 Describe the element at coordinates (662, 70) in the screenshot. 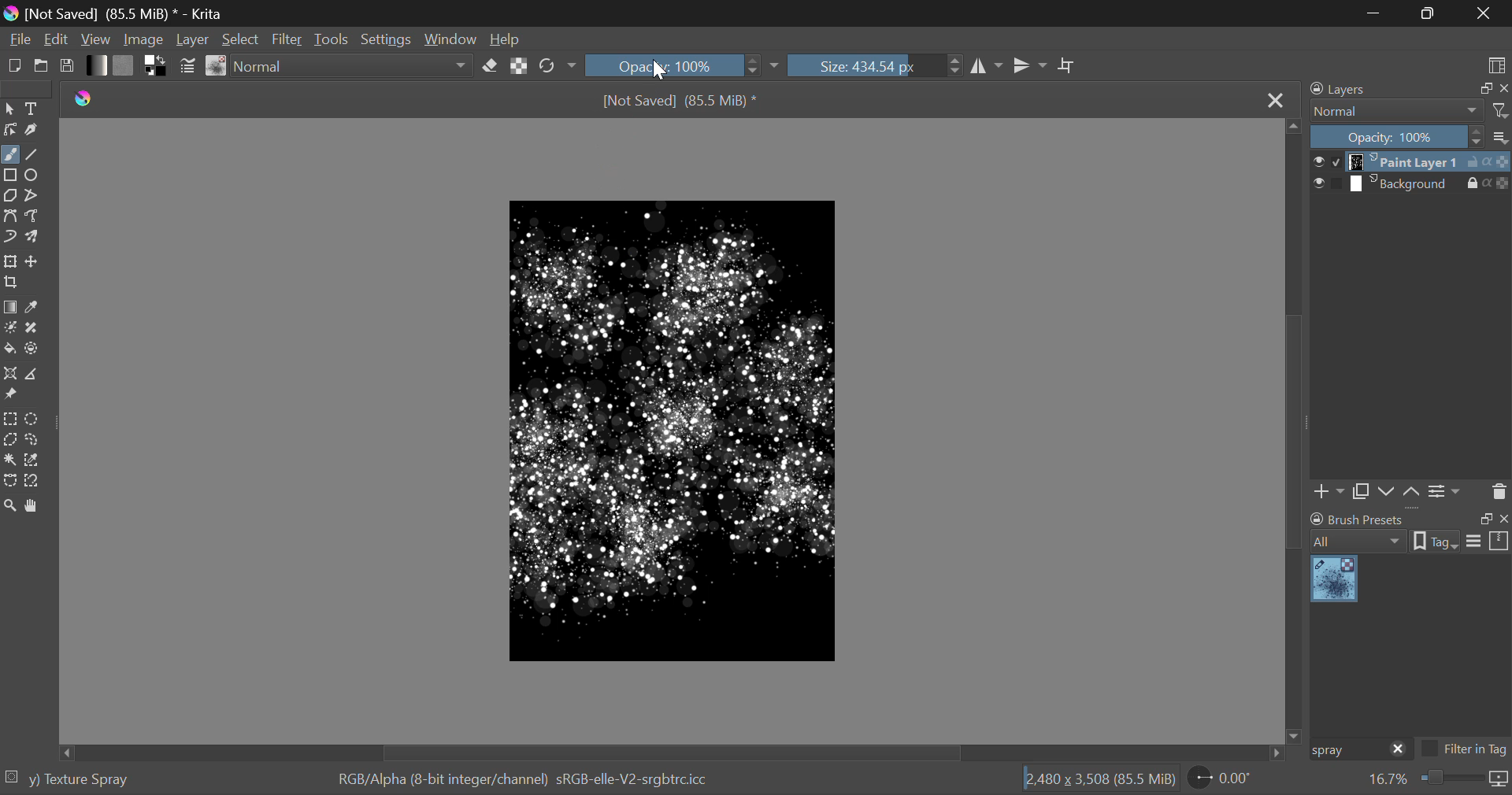

I see `Cursor Position AFTER_LAST_ACTION` at that location.